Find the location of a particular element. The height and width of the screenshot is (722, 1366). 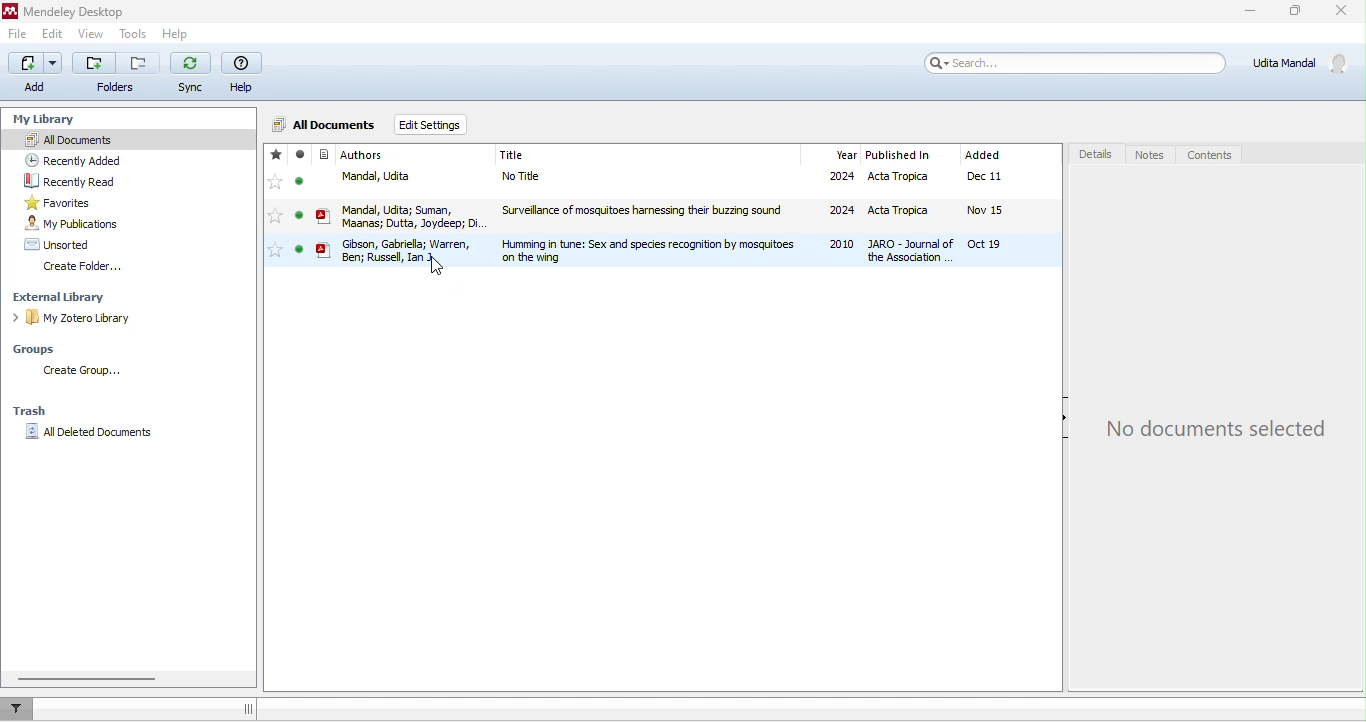

all deleted documents is located at coordinates (93, 437).